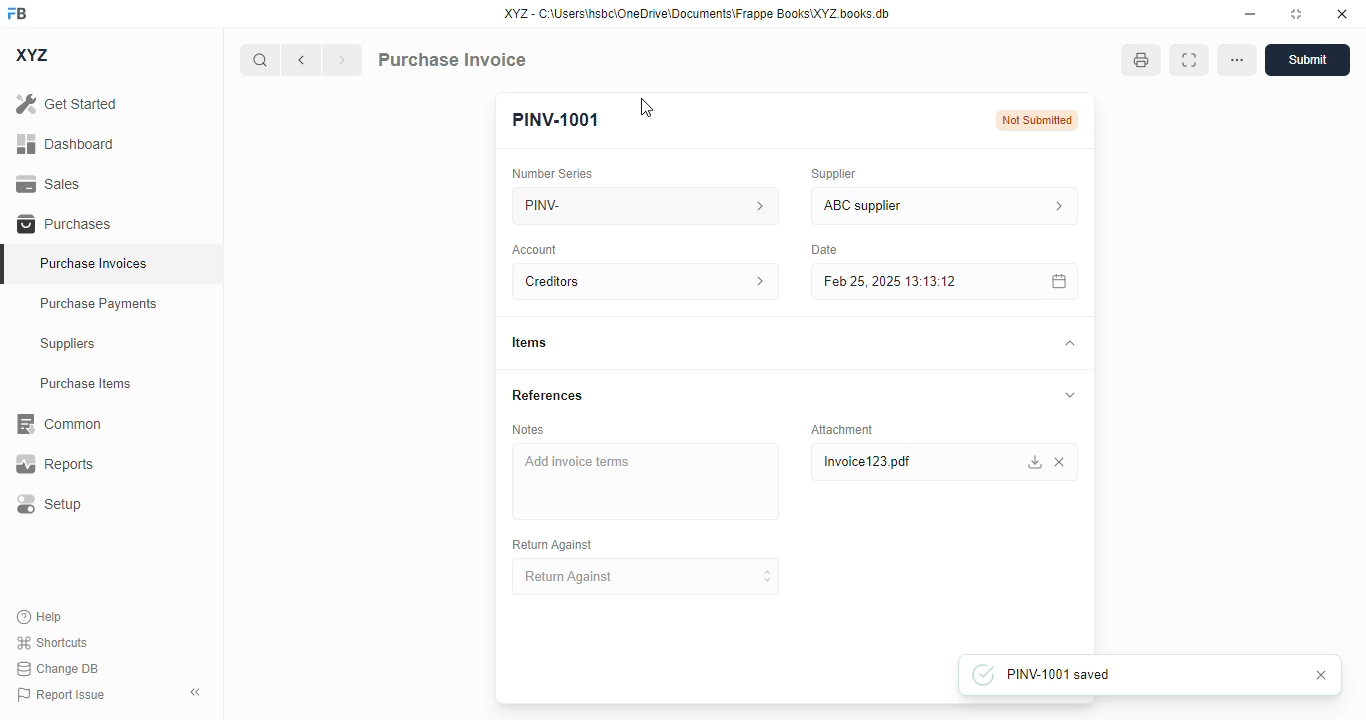  What do you see at coordinates (47, 505) in the screenshot?
I see `setup` at bounding box center [47, 505].